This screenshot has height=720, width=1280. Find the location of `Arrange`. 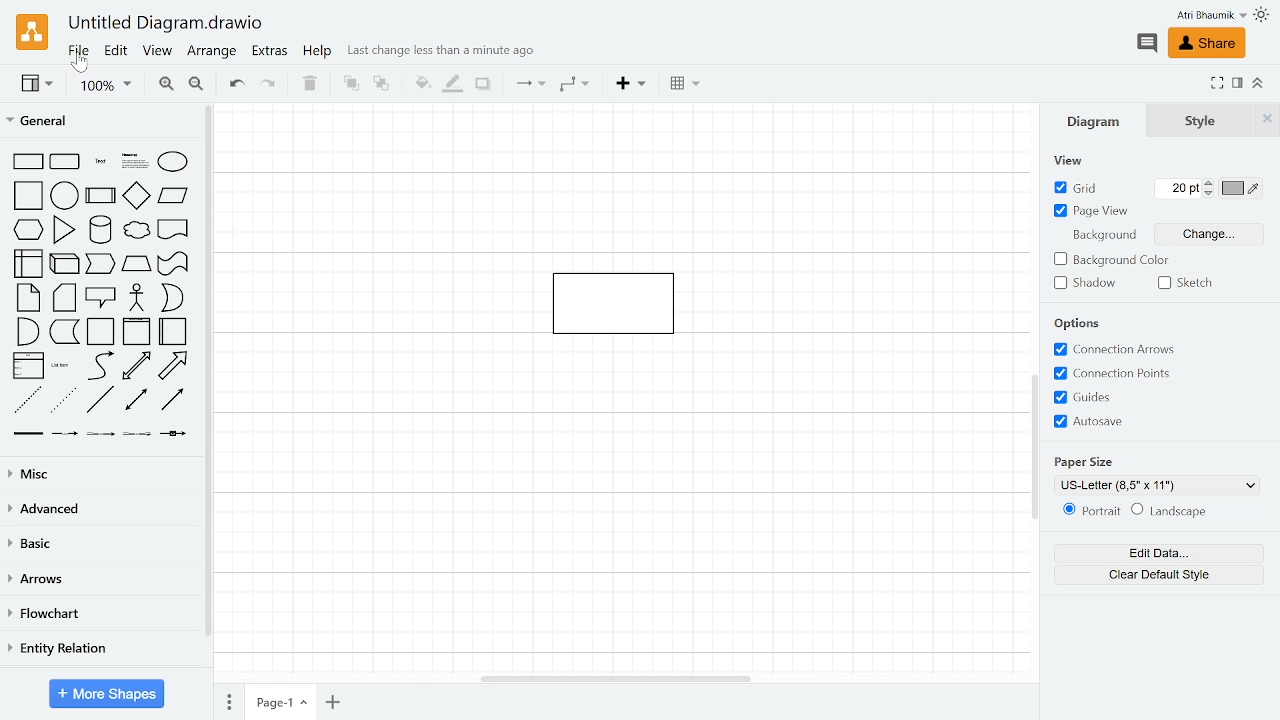

Arrange is located at coordinates (214, 52).